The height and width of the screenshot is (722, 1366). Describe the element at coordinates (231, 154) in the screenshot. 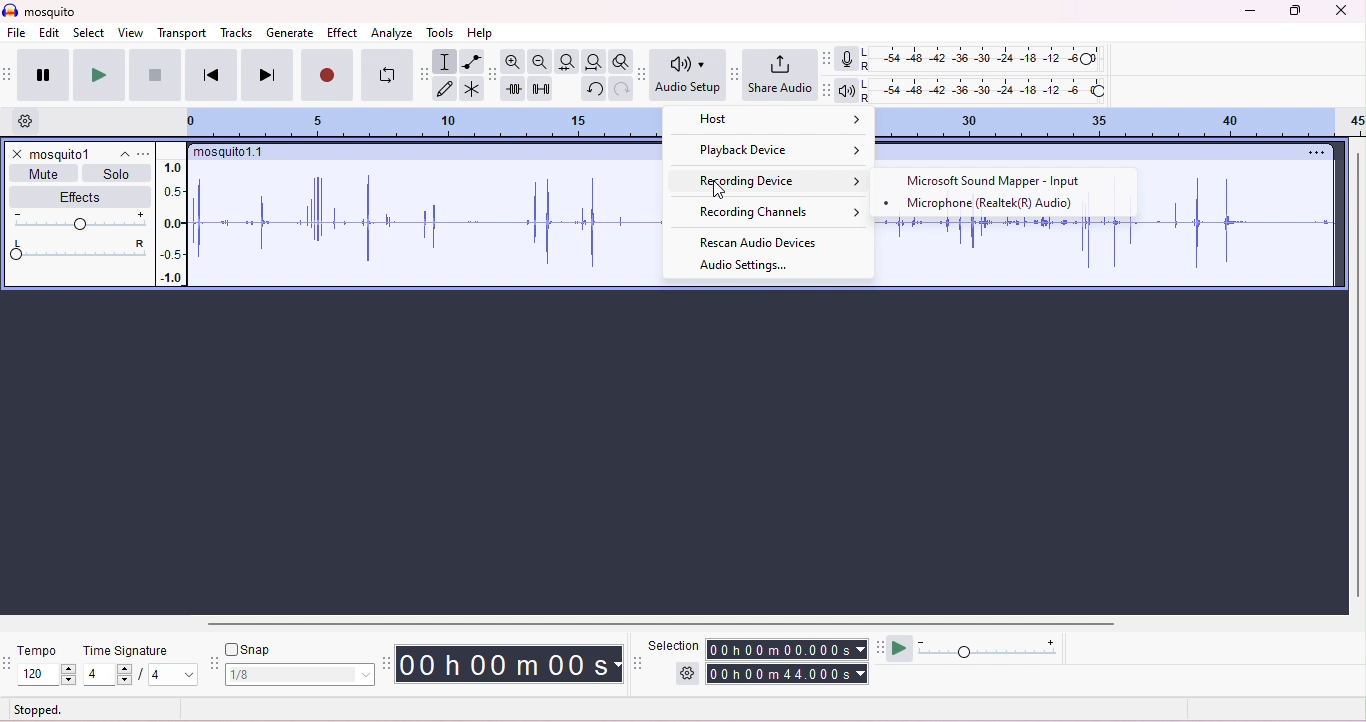

I see `track title` at that location.